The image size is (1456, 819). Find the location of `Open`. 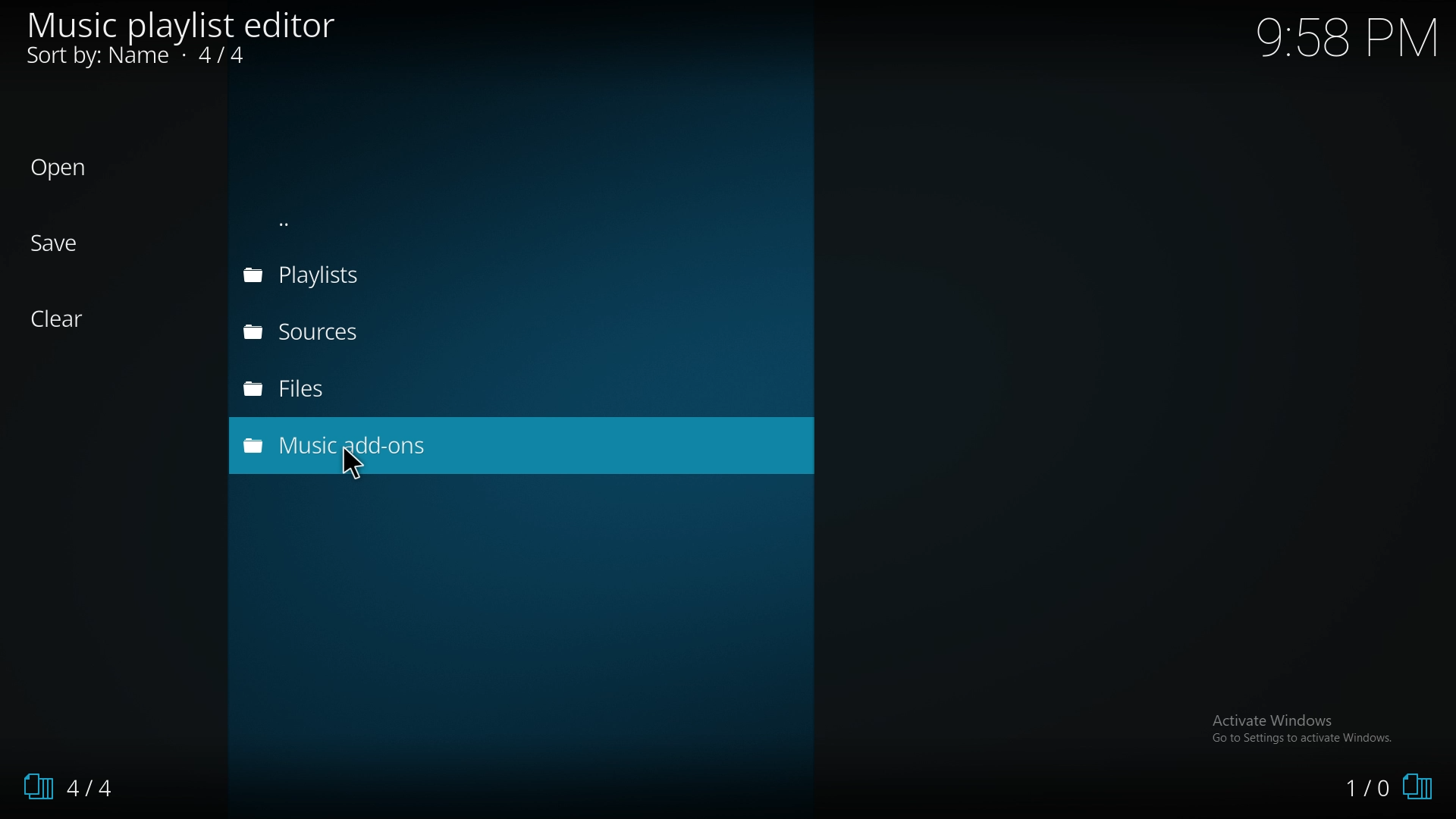

Open is located at coordinates (59, 168).